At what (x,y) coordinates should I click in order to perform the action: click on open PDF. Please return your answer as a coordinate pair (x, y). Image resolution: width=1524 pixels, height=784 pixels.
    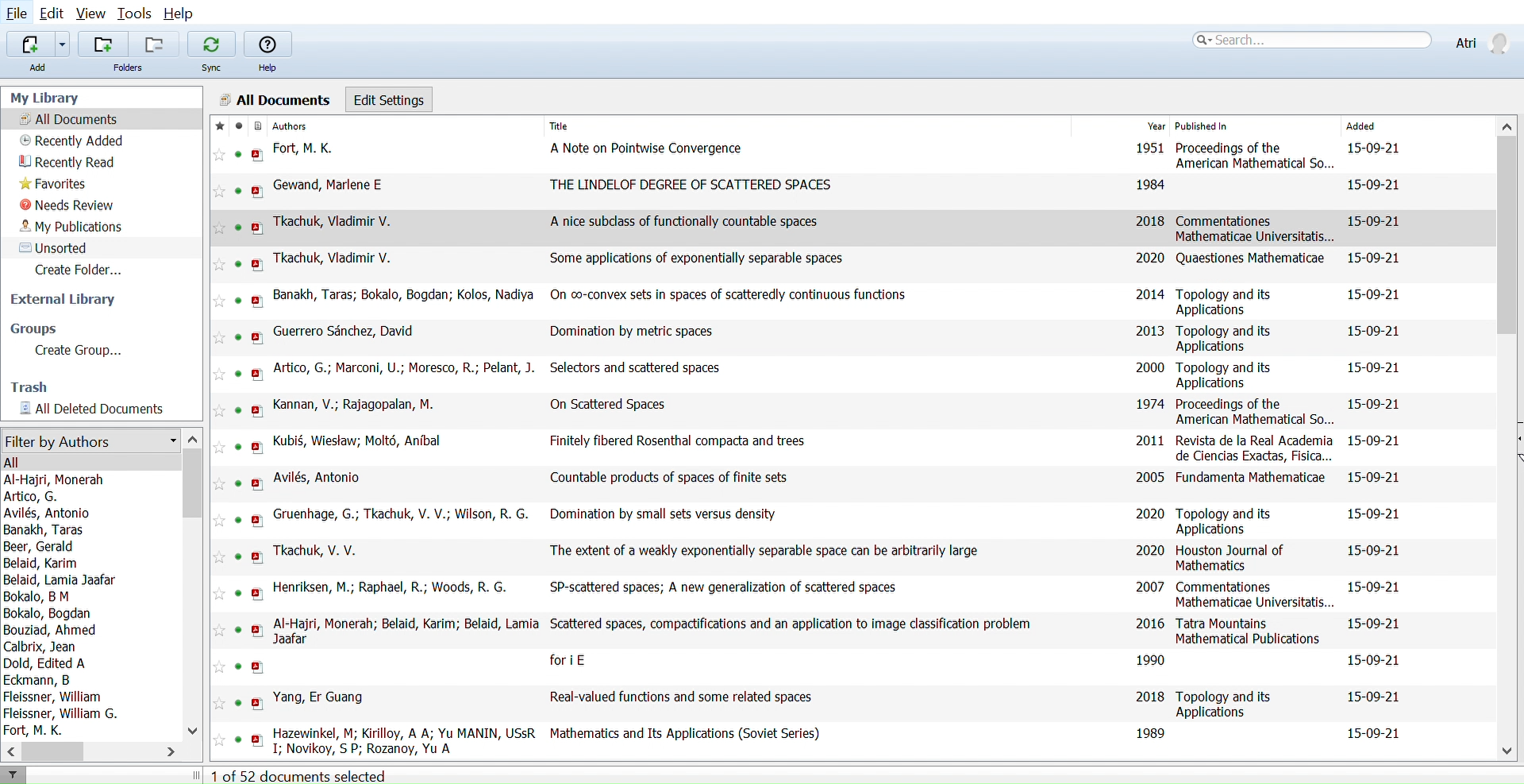
    Looking at the image, I should click on (257, 484).